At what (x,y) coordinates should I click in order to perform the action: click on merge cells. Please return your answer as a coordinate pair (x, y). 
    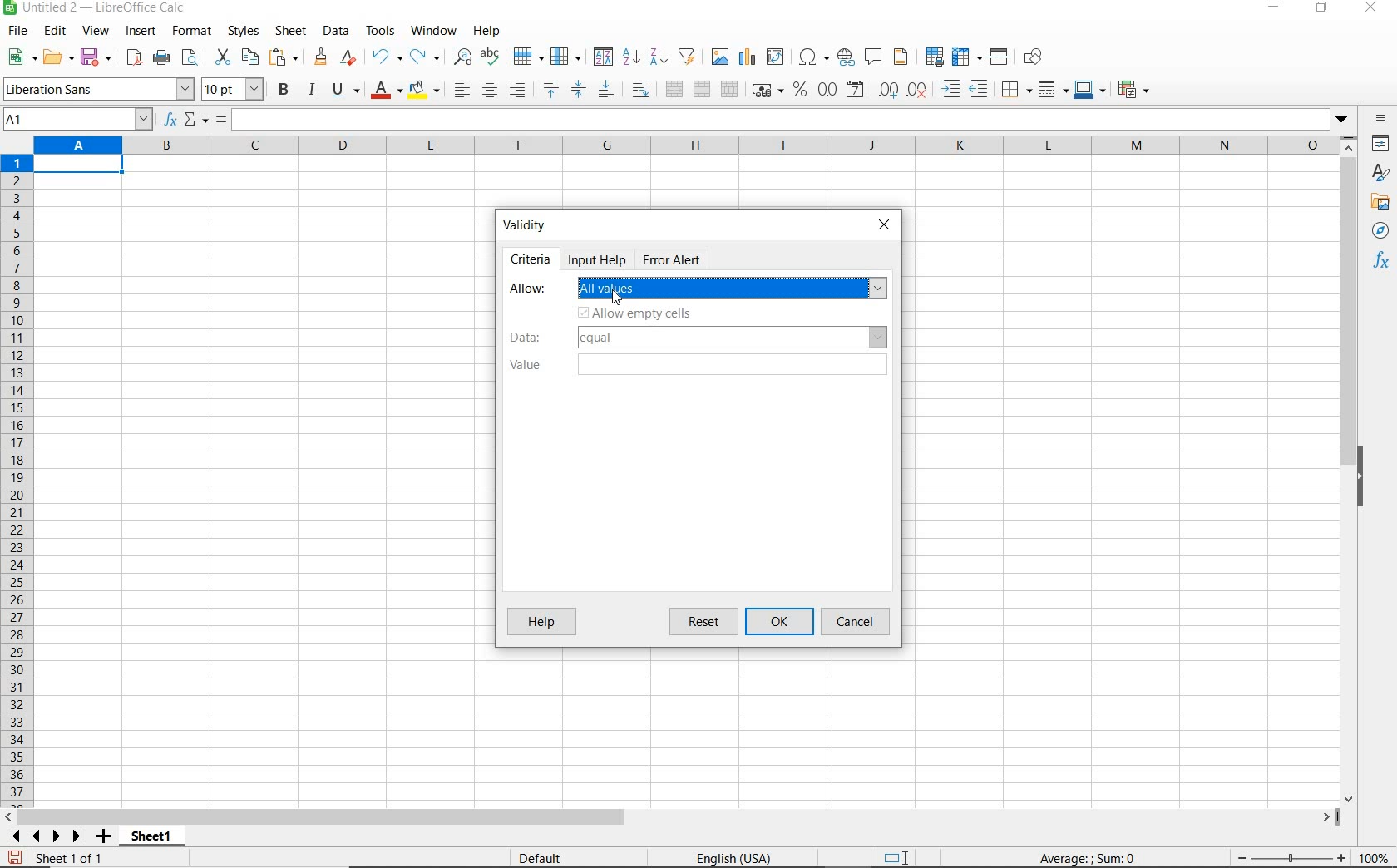
    Looking at the image, I should click on (703, 87).